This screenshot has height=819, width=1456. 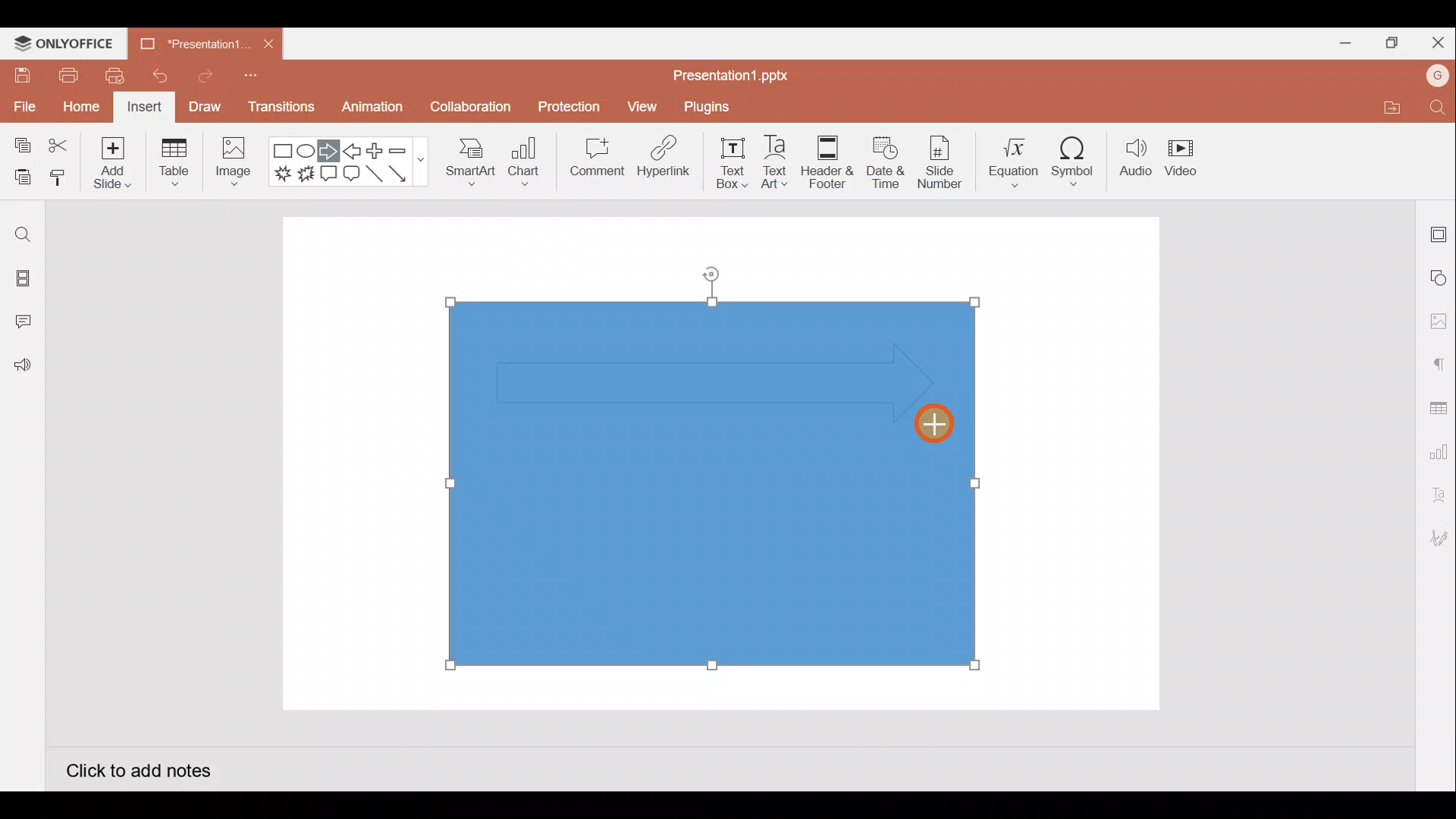 What do you see at coordinates (733, 163) in the screenshot?
I see `Text box` at bounding box center [733, 163].